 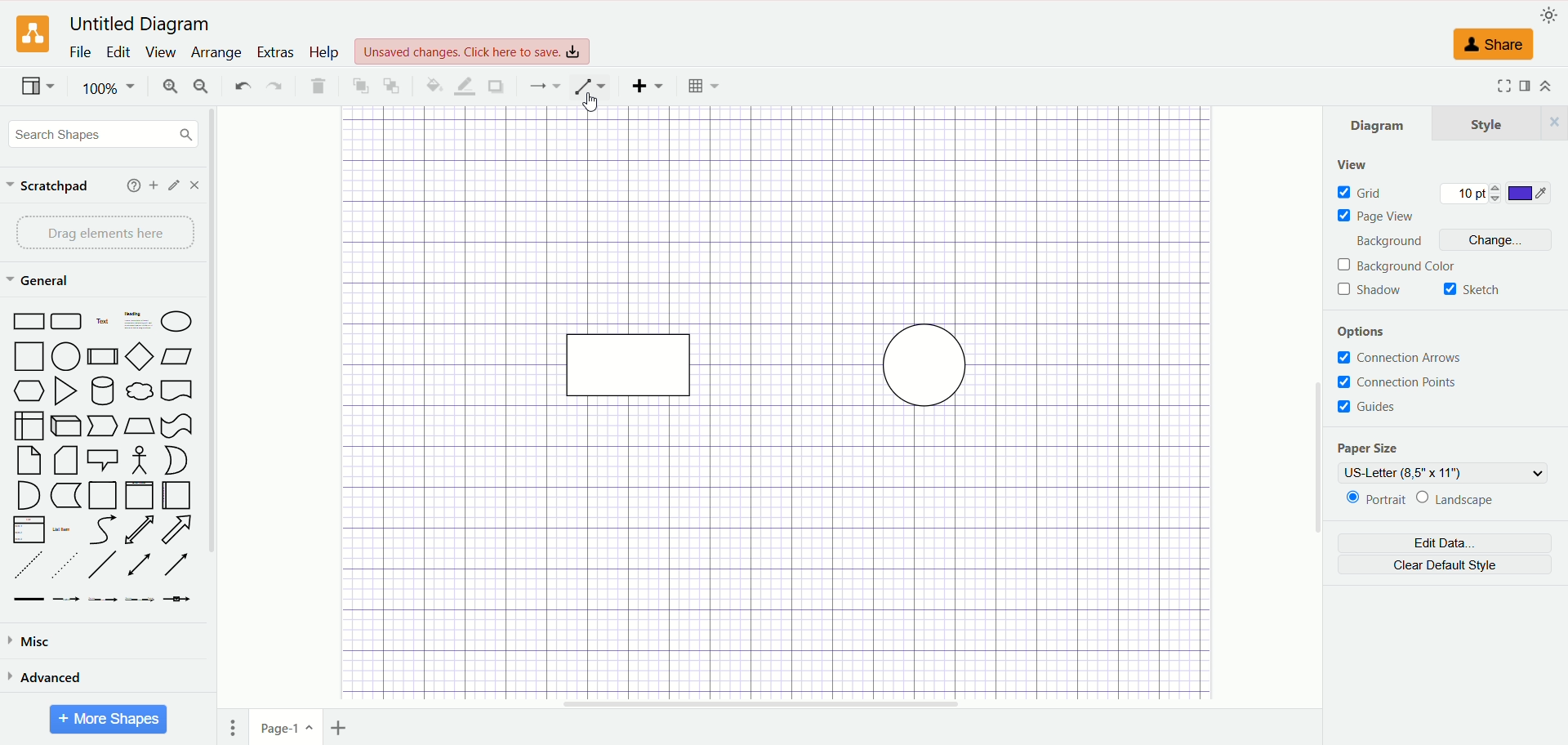 I want to click on undo, so click(x=239, y=85).